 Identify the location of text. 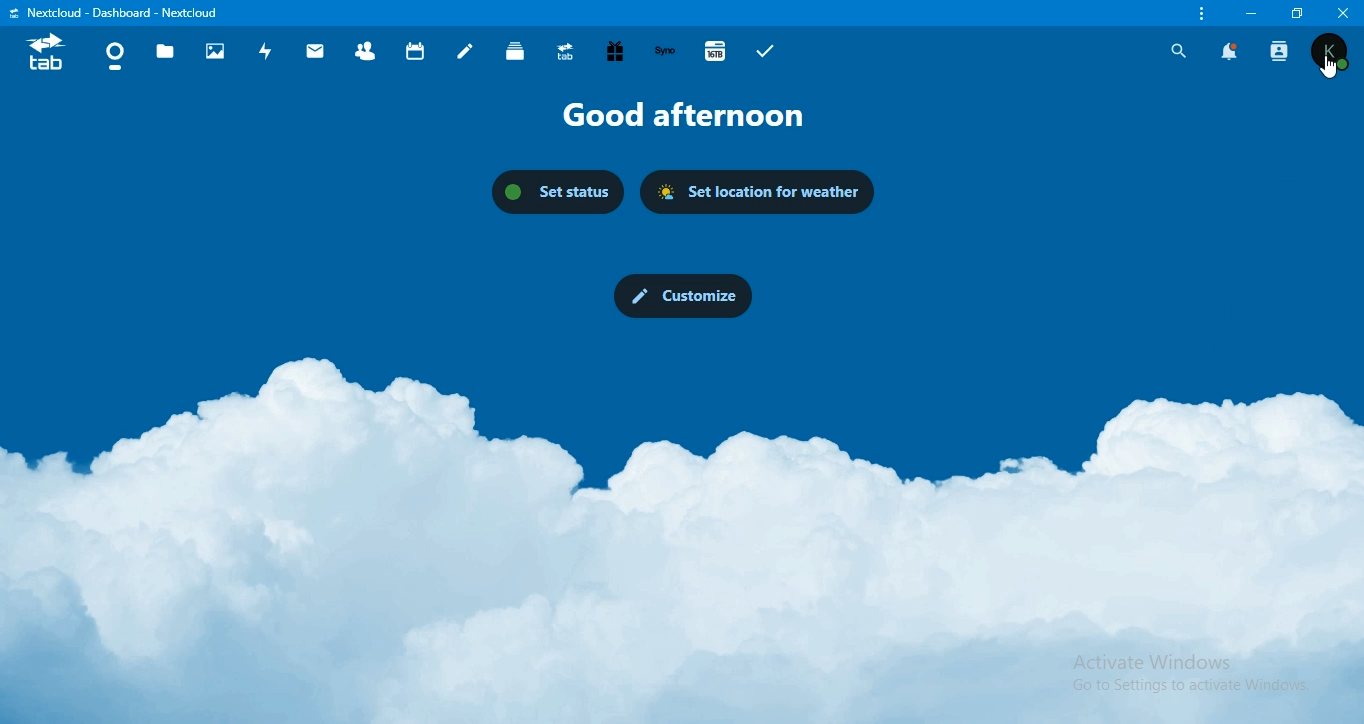
(696, 116).